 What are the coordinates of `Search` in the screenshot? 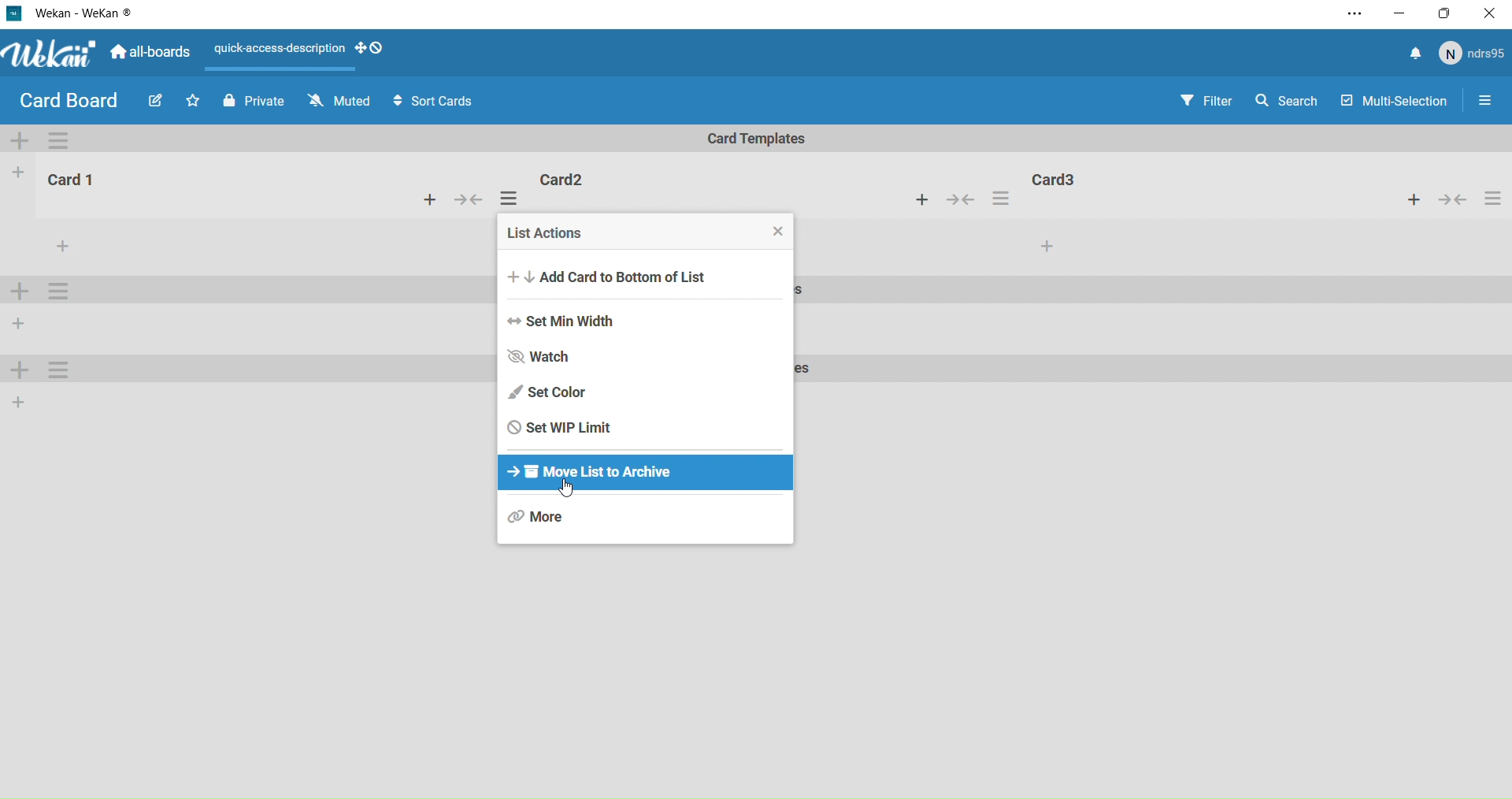 It's located at (1288, 104).